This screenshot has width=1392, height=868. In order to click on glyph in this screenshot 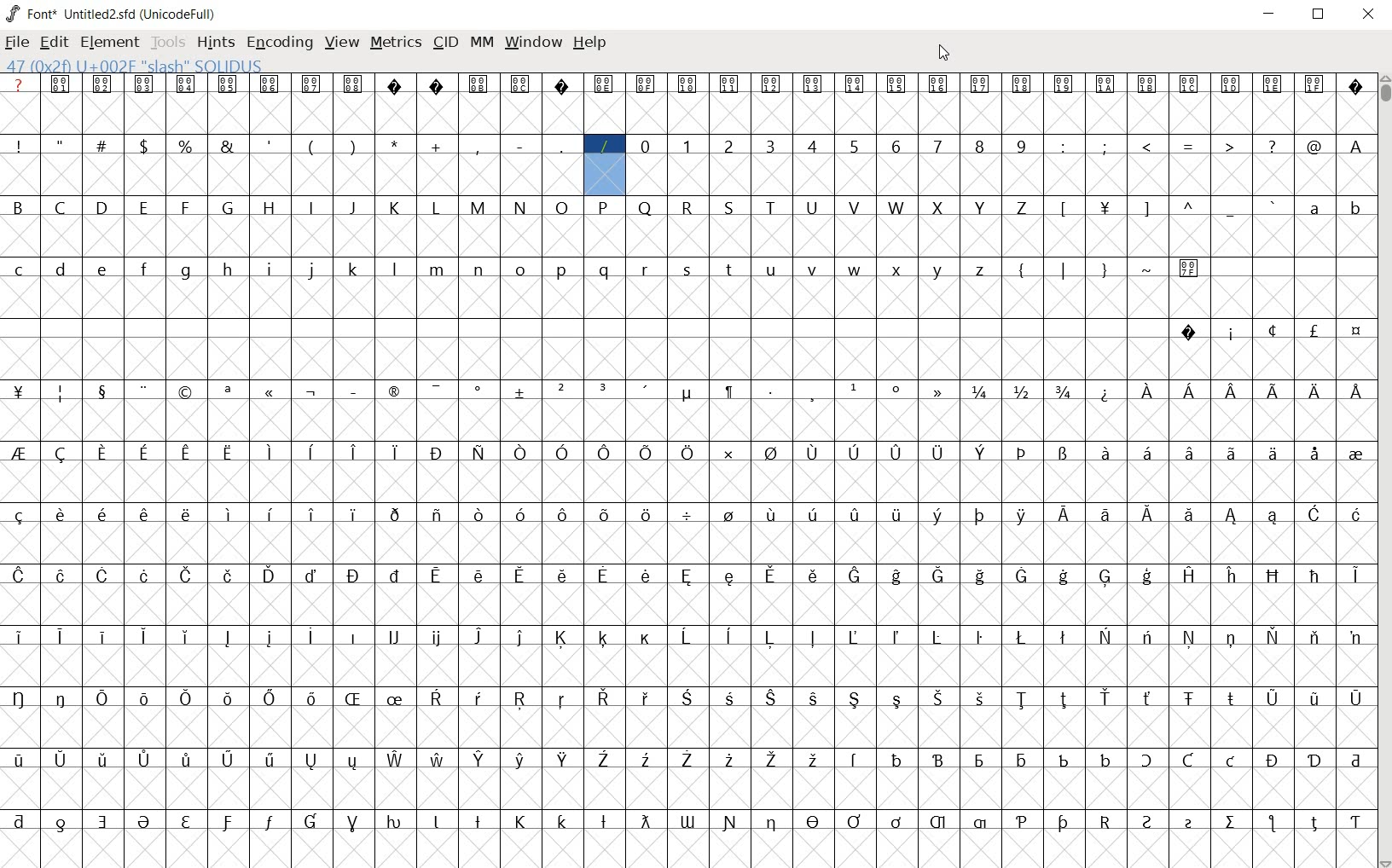, I will do `click(604, 697)`.